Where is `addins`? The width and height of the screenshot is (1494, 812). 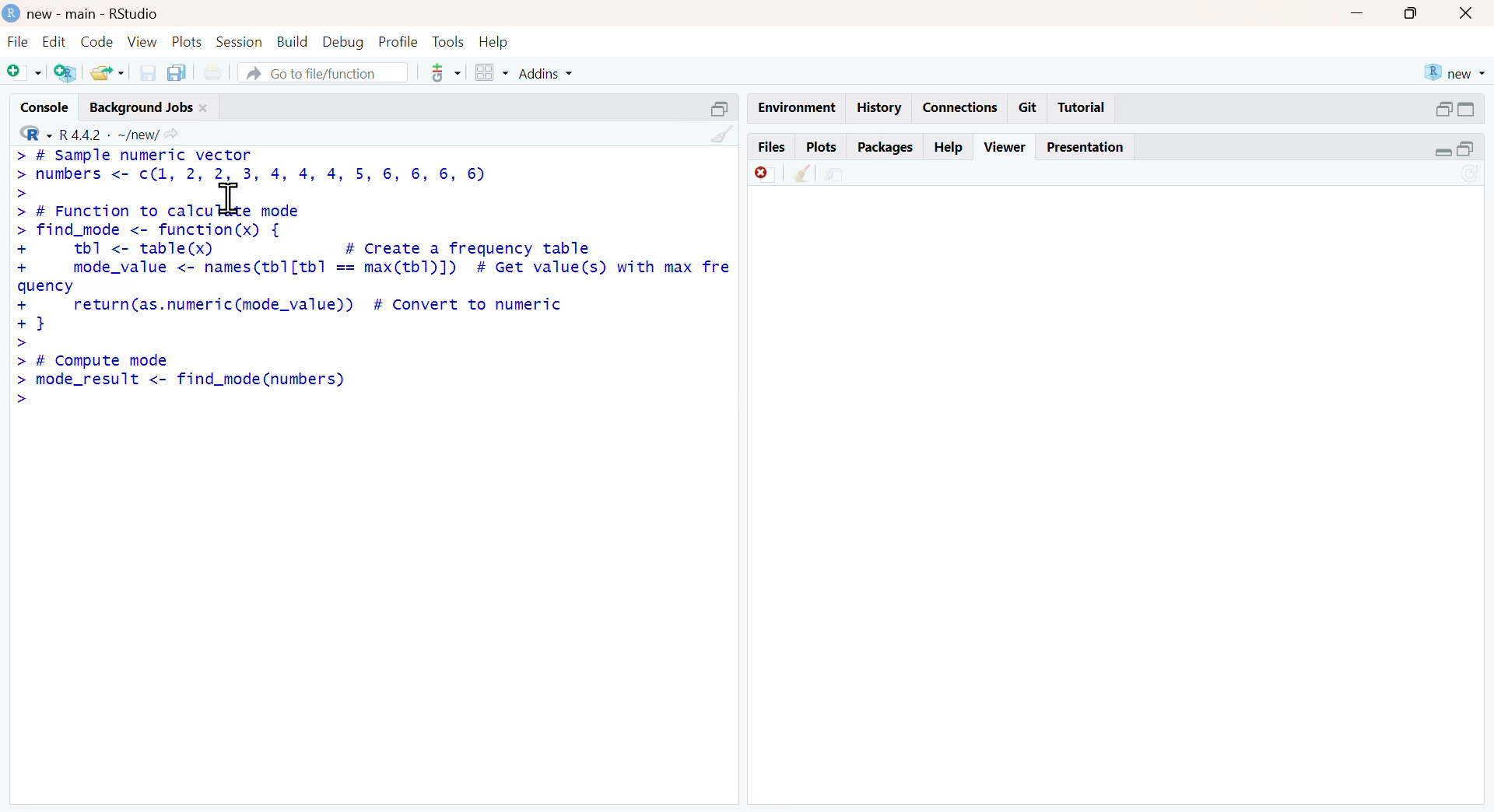
addins is located at coordinates (548, 75).